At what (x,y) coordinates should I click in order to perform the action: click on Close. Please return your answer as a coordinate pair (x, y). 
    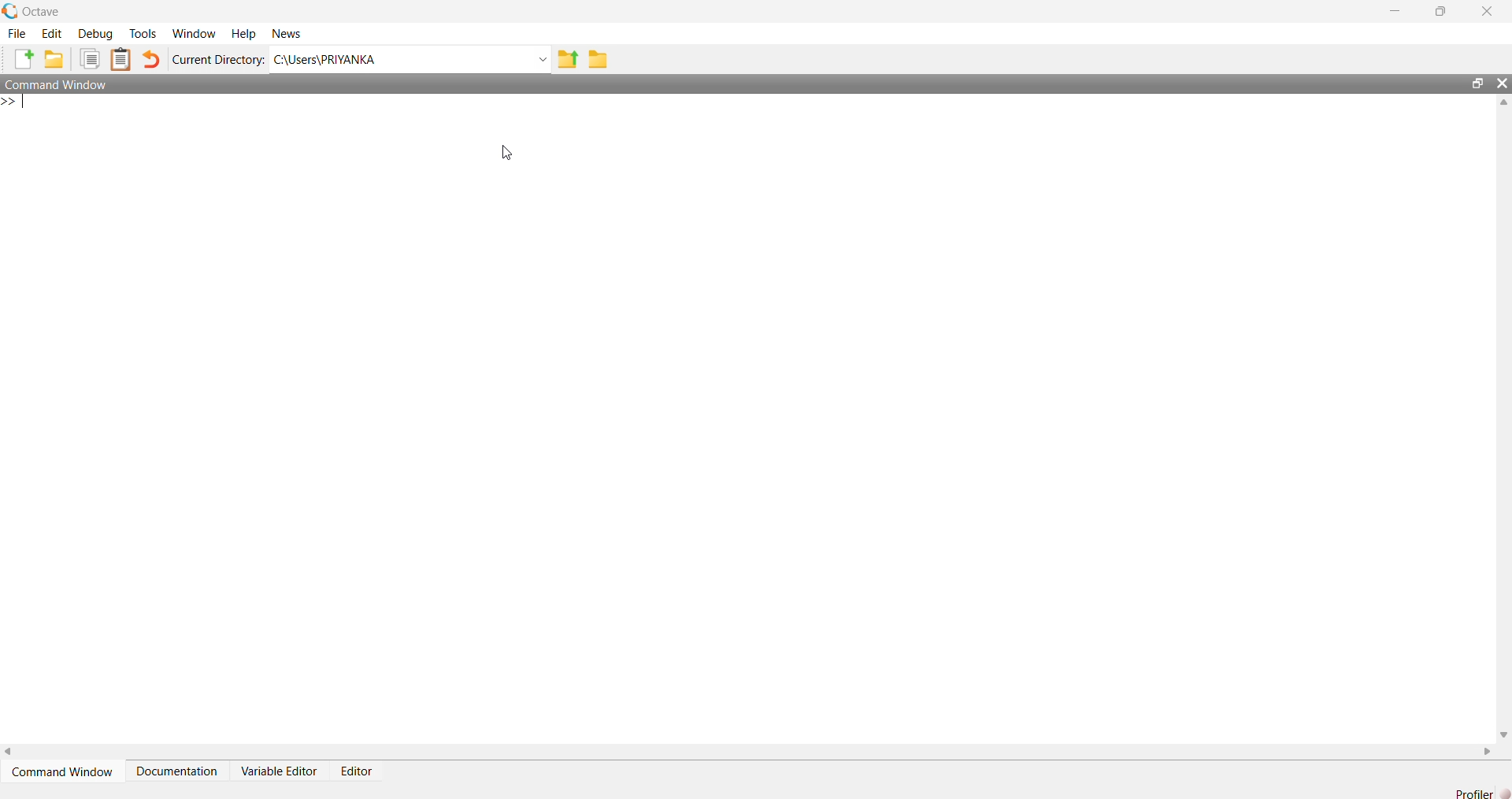
    Looking at the image, I should click on (1502, 85).